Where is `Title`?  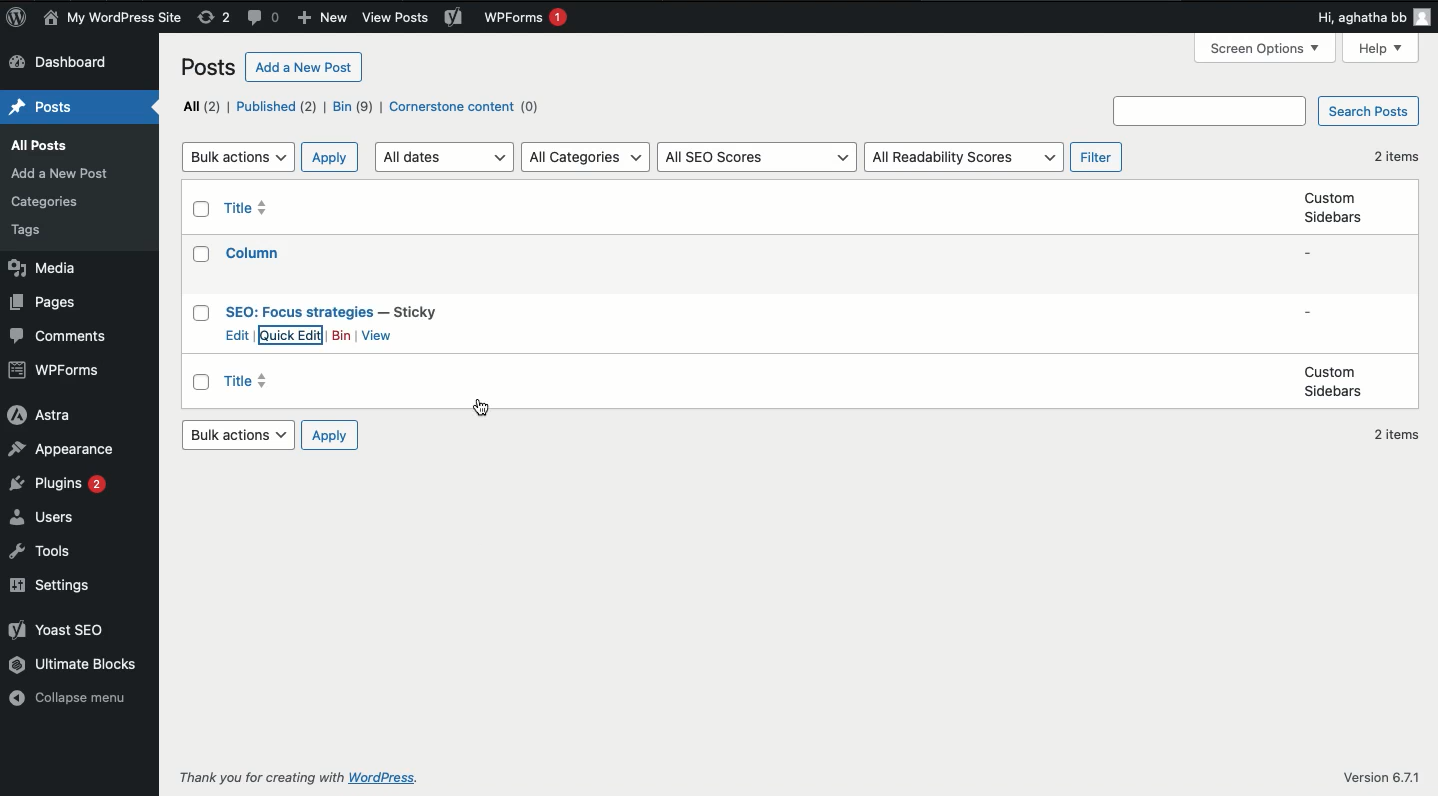 Title is located at coordinates (332, 311).